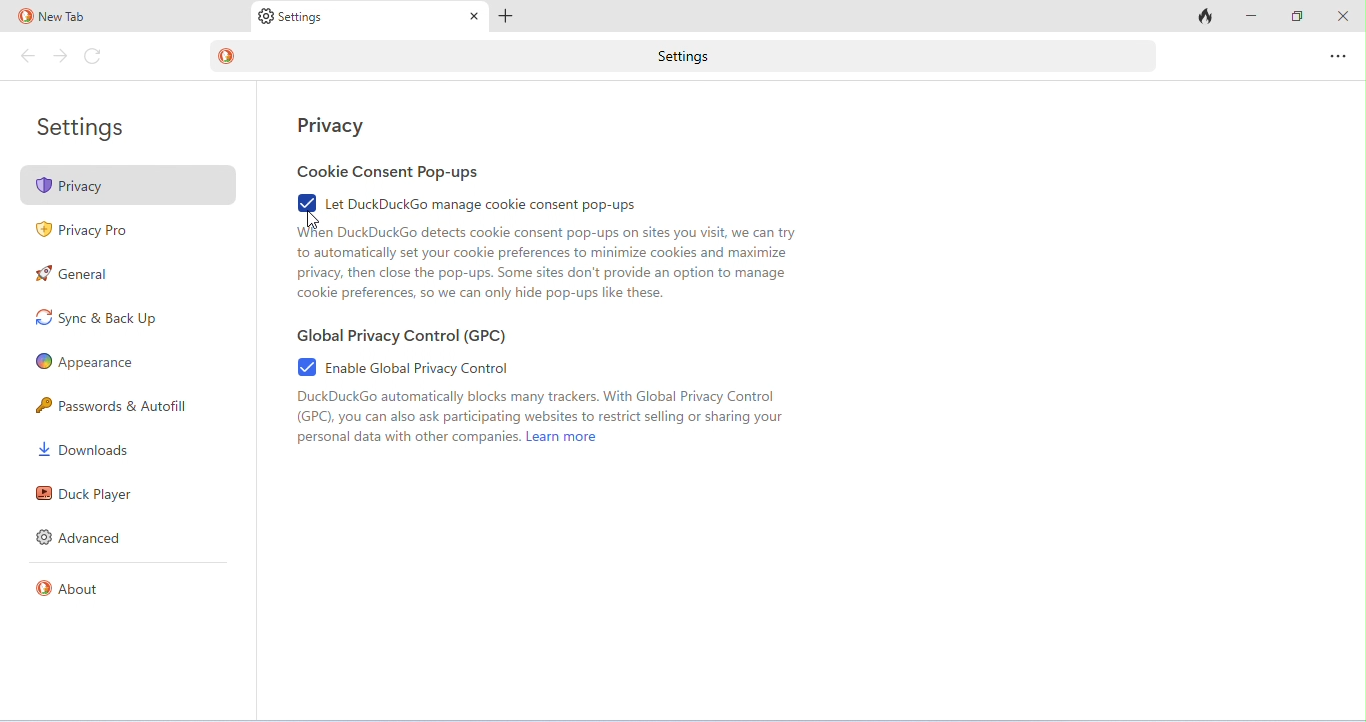 The width and height of the screenshot is (1366, 722). What do you see at coordinates (470, 203) in the screenshot?
I see `Let duckduckgo manage cookie constant pop ups` at bounding box center [470, 203].